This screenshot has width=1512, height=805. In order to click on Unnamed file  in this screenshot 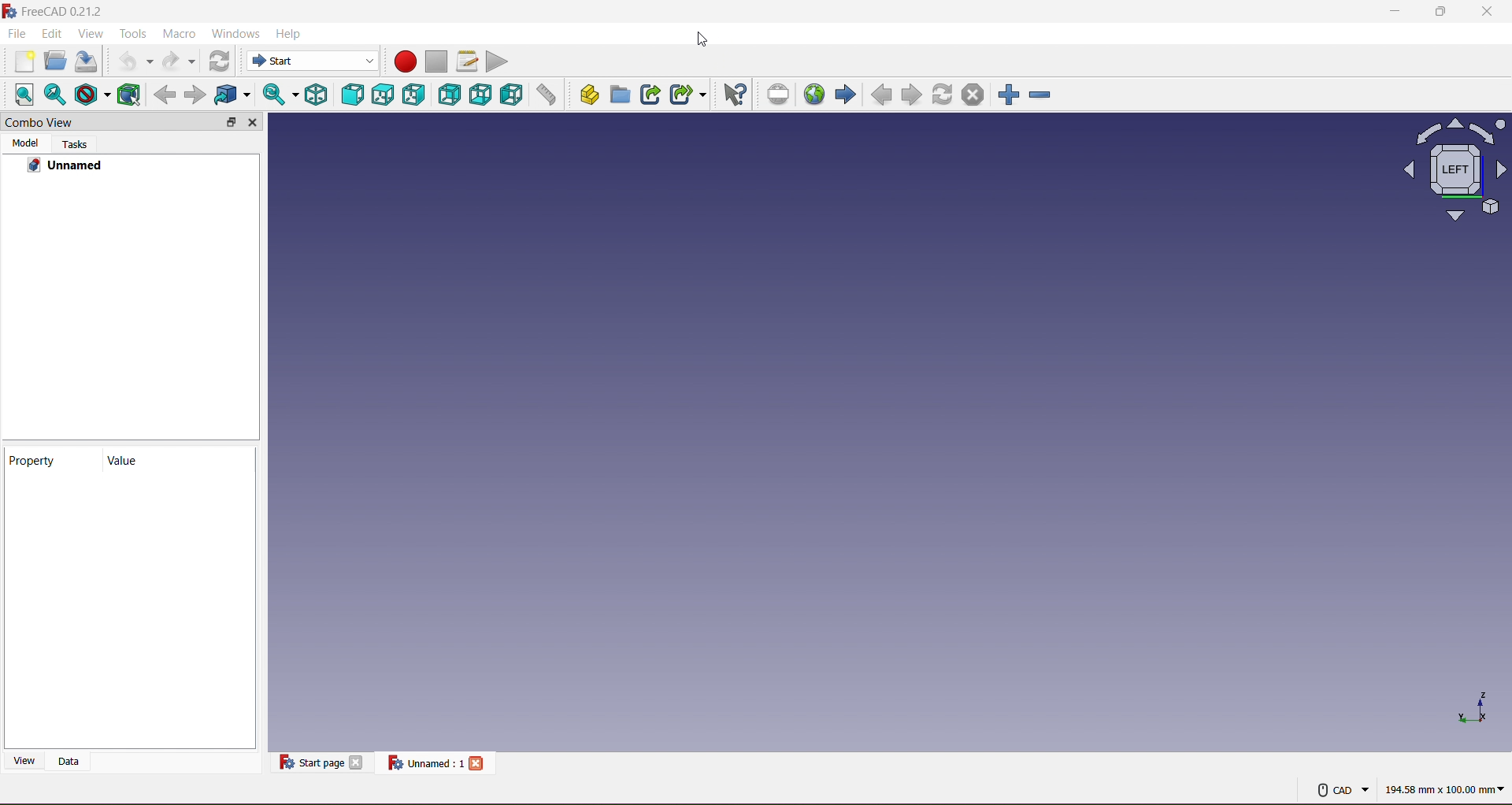, I will do `click(435, 762)`.